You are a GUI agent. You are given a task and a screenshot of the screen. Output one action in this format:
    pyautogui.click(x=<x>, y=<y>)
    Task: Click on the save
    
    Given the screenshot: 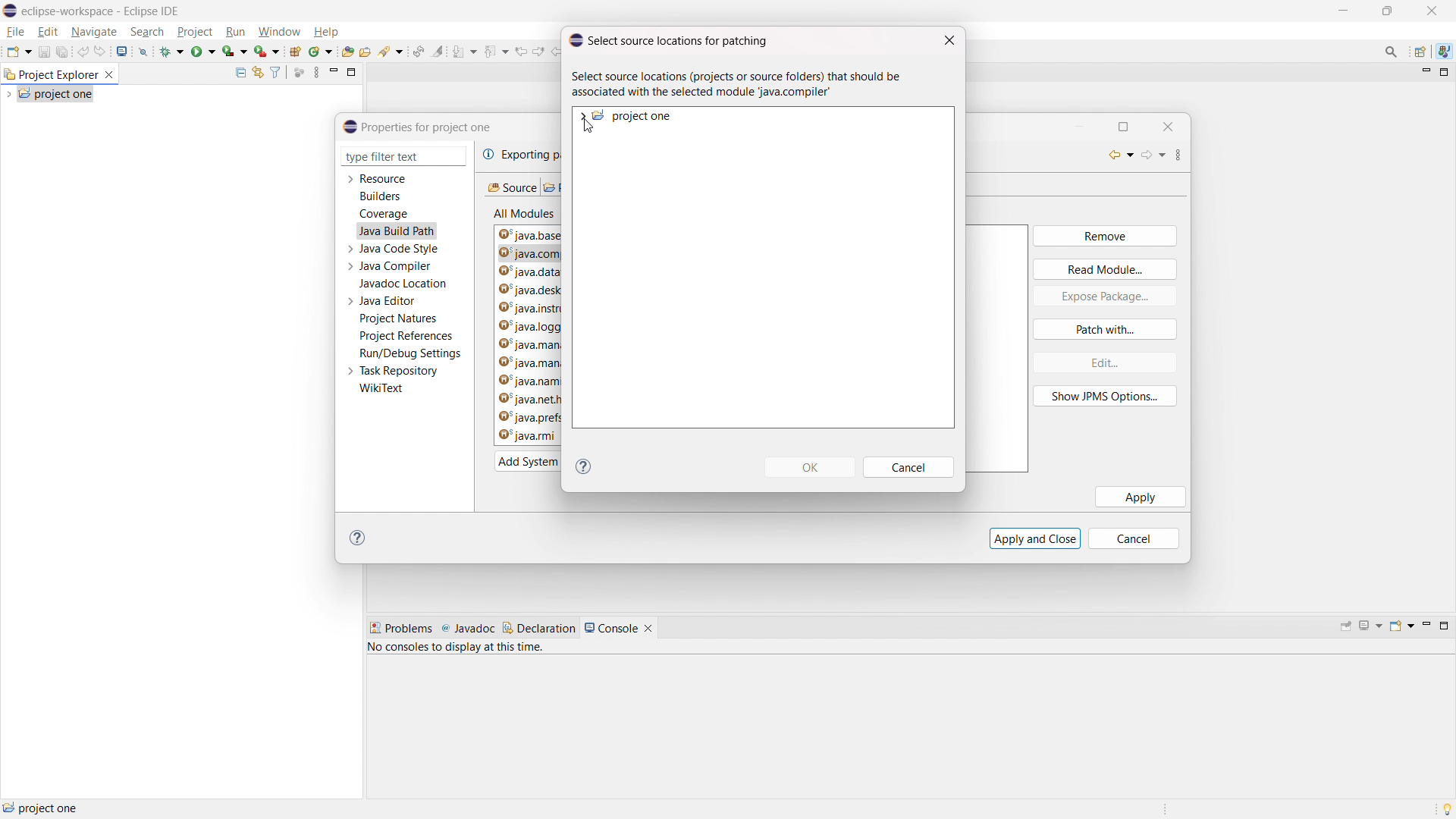 What is the action you would take?
    pyautogui.click(x=44, y=52)
    